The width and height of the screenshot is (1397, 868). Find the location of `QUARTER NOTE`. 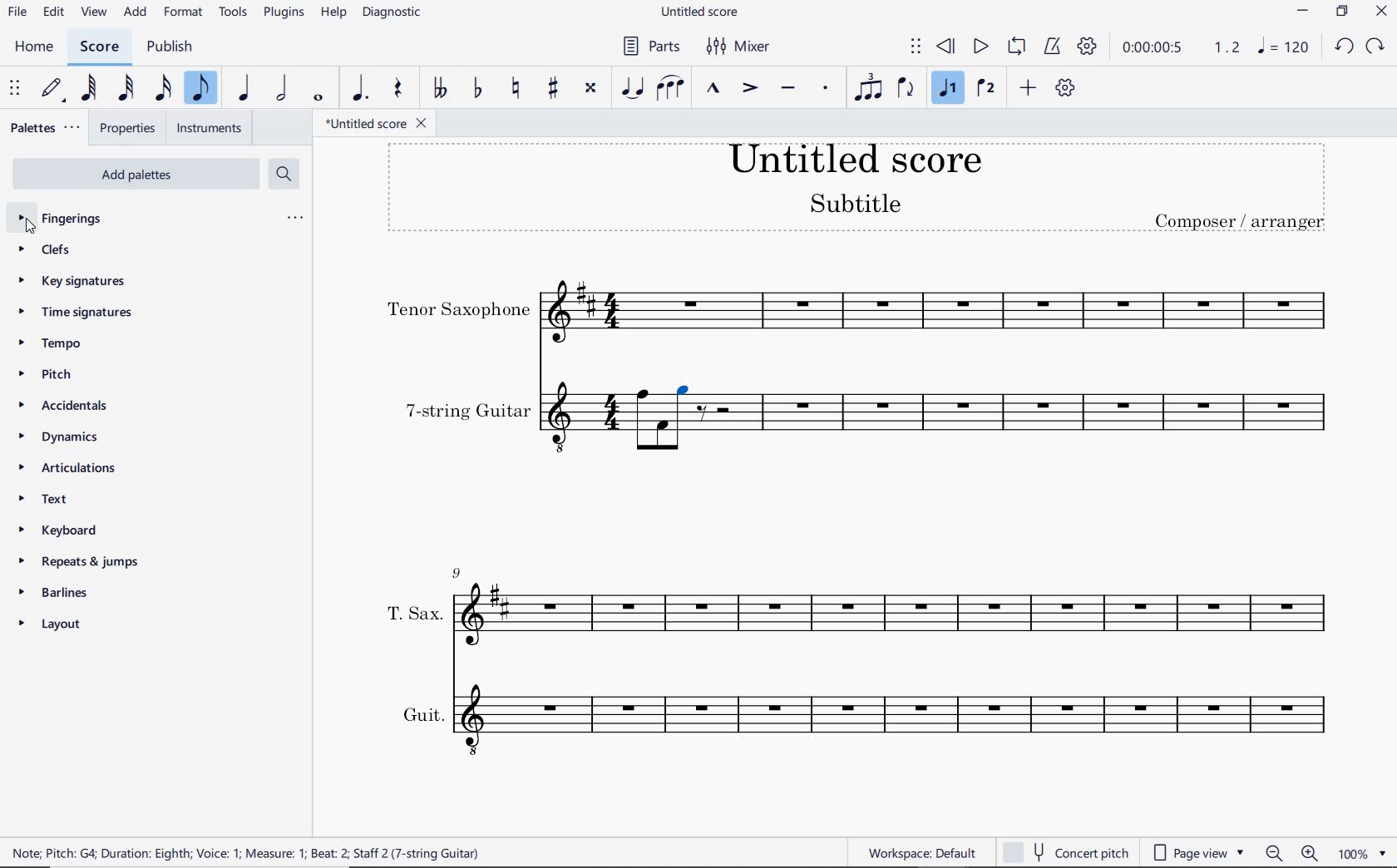

QUARTER NOTE is located at coordinates (246, 89).